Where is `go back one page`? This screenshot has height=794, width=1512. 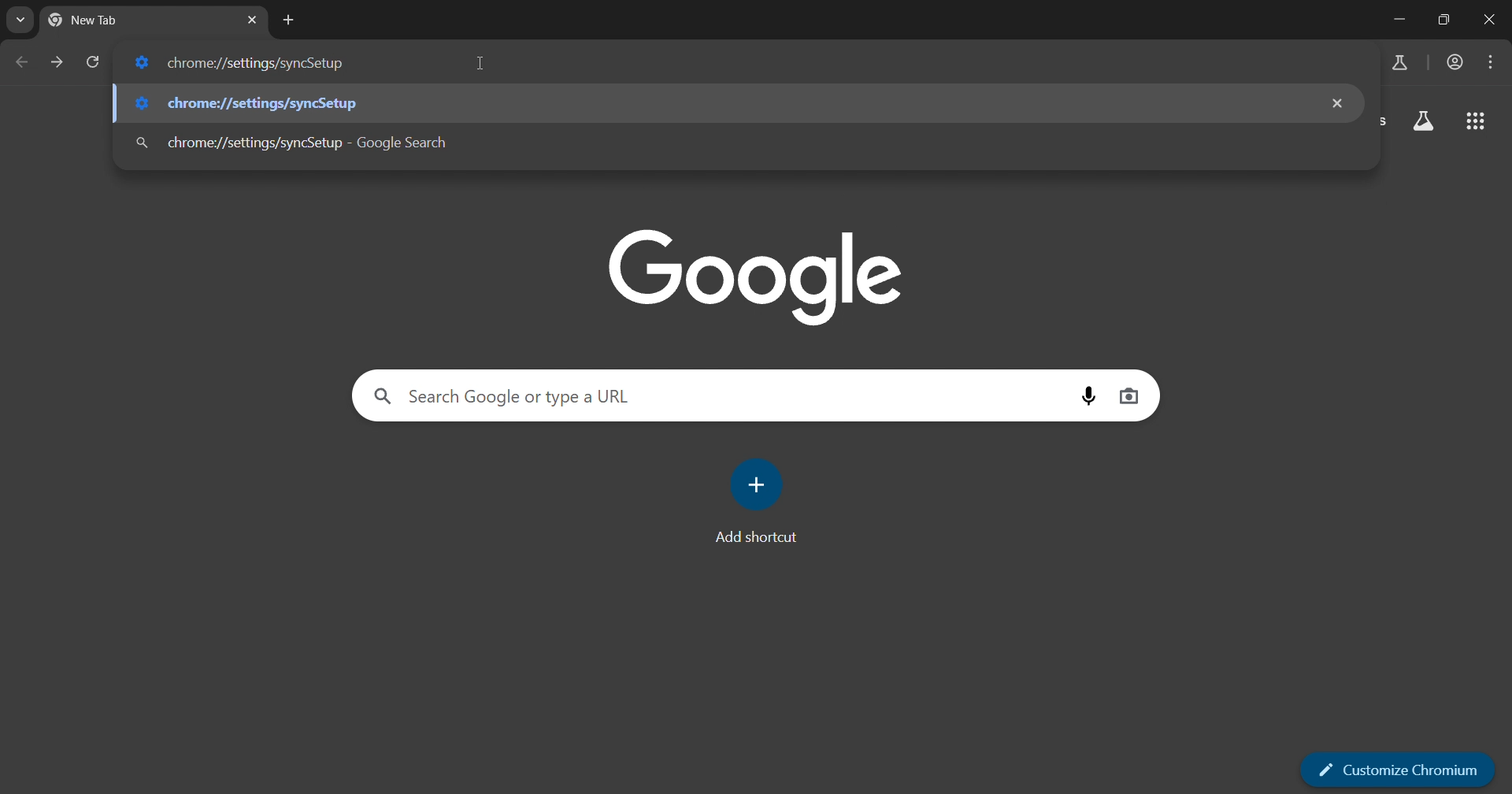 go back one page is located at coordinates (18, 61).